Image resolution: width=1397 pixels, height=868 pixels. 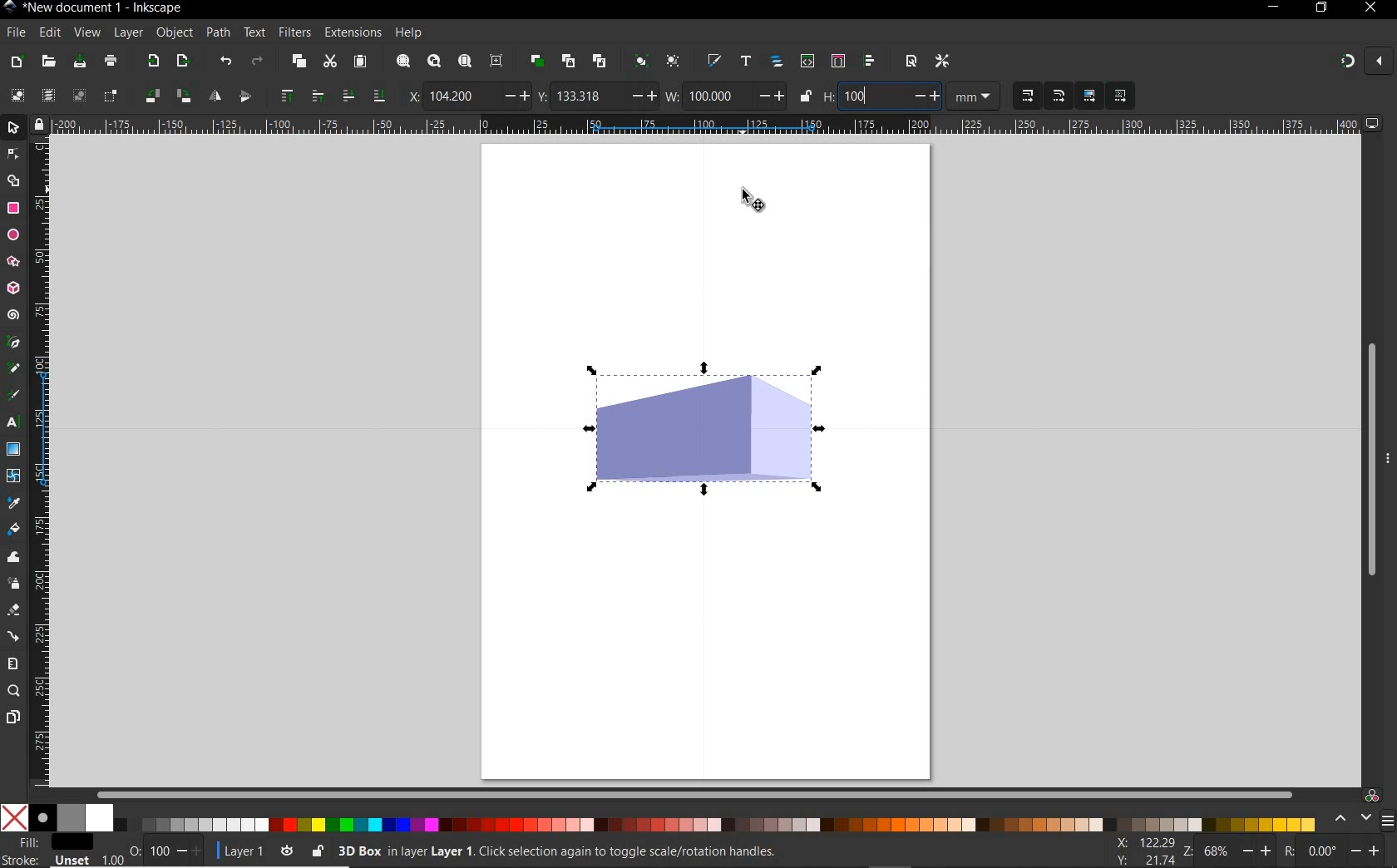 I want to click on undo, so click(x=225, y=61).